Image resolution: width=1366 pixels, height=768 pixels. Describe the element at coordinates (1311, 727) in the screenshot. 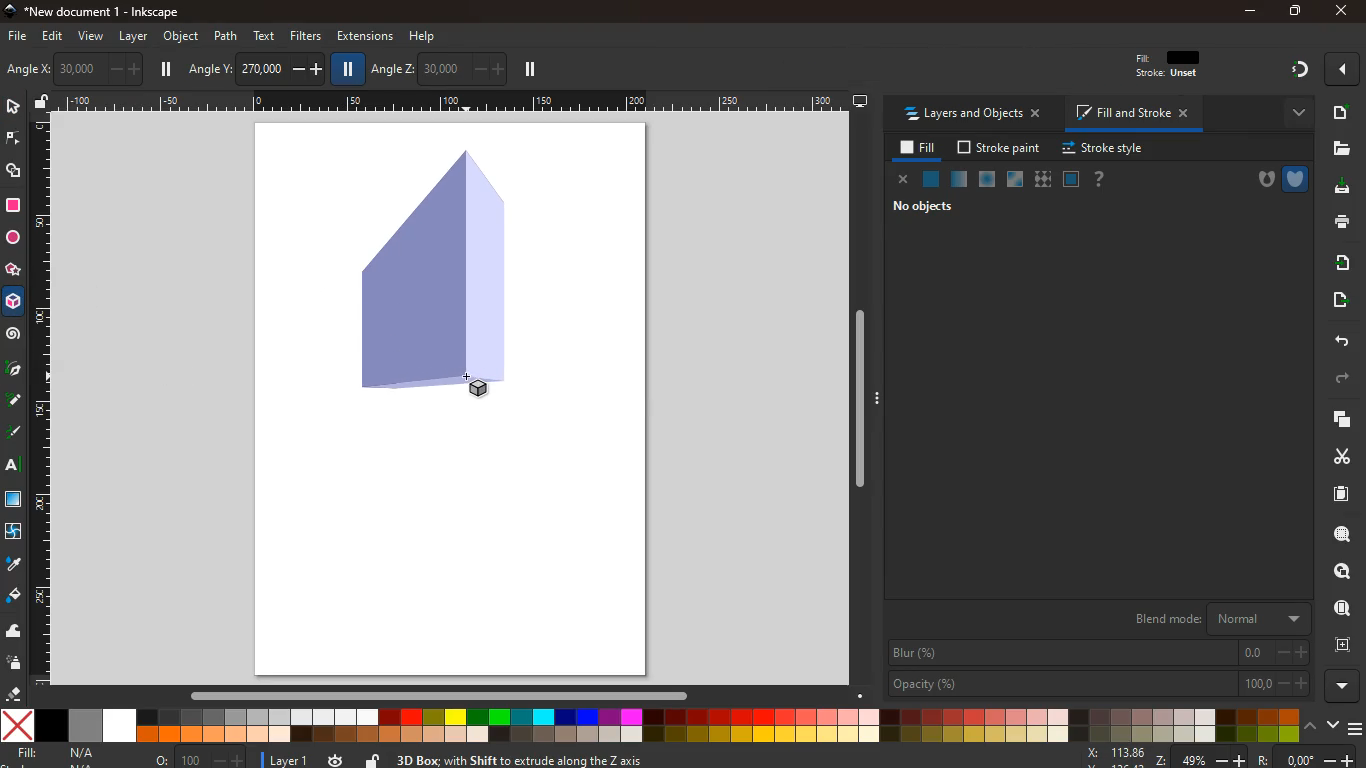

I see `up` at that location.